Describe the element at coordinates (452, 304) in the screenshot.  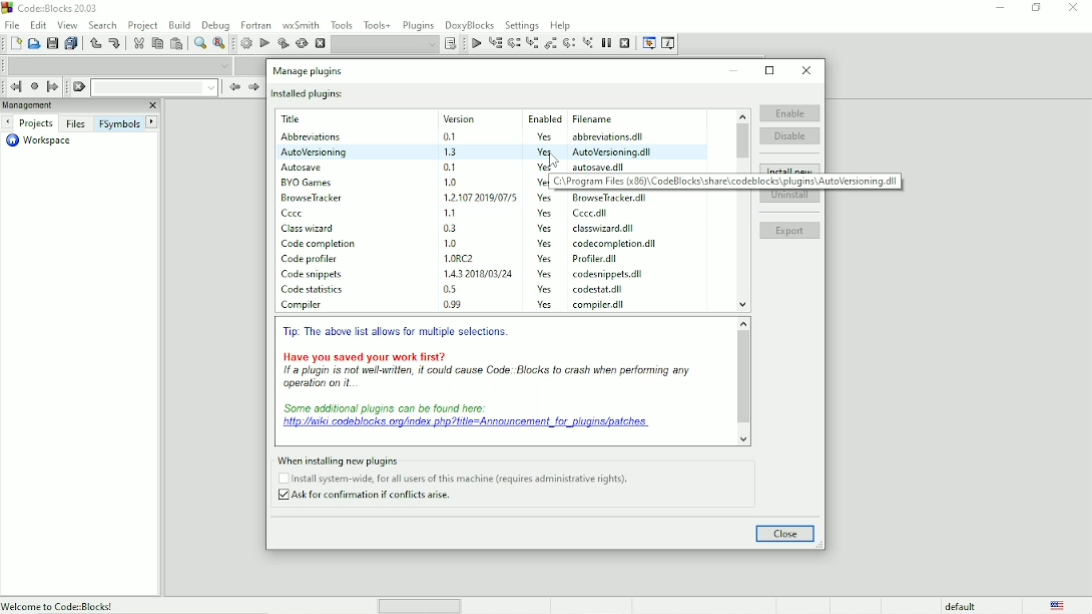
I see `0.99` at that location.